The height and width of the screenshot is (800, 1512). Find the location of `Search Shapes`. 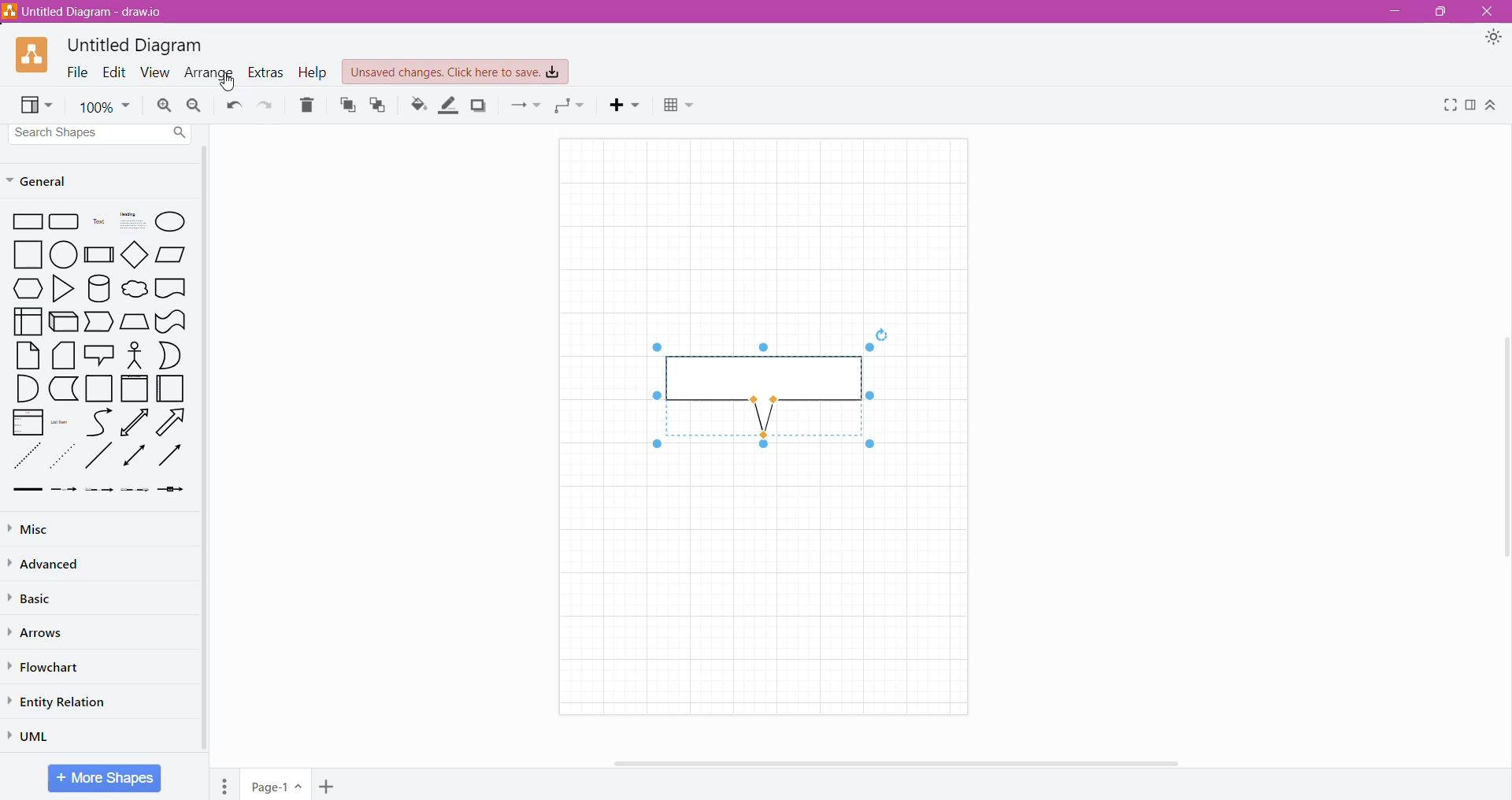

Search Shapes is located at coordinates (102, 133).